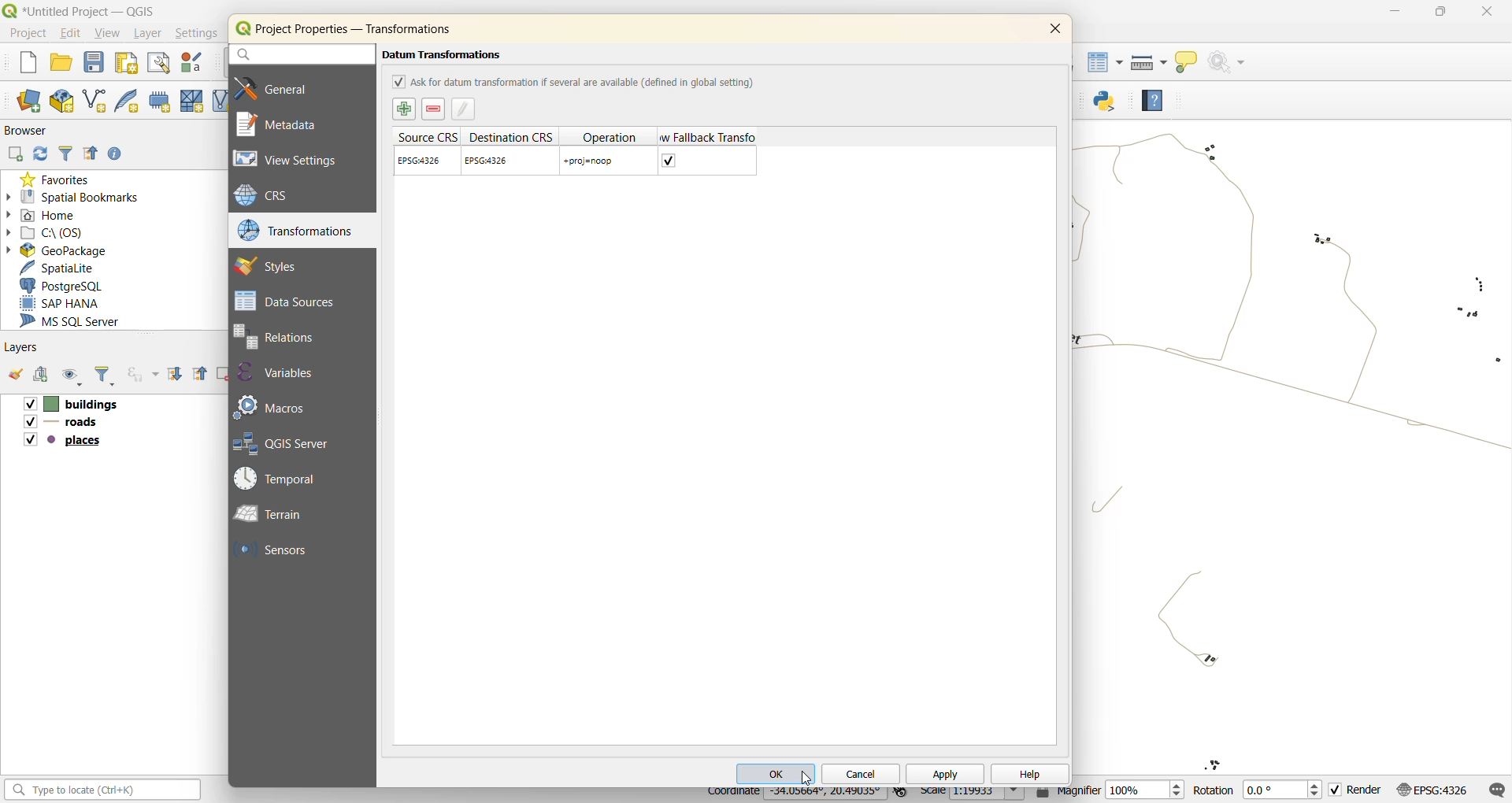 Image resolution: width=1512 pixels, height=803 pixels. I want to click on view settings, so click(294, 161).